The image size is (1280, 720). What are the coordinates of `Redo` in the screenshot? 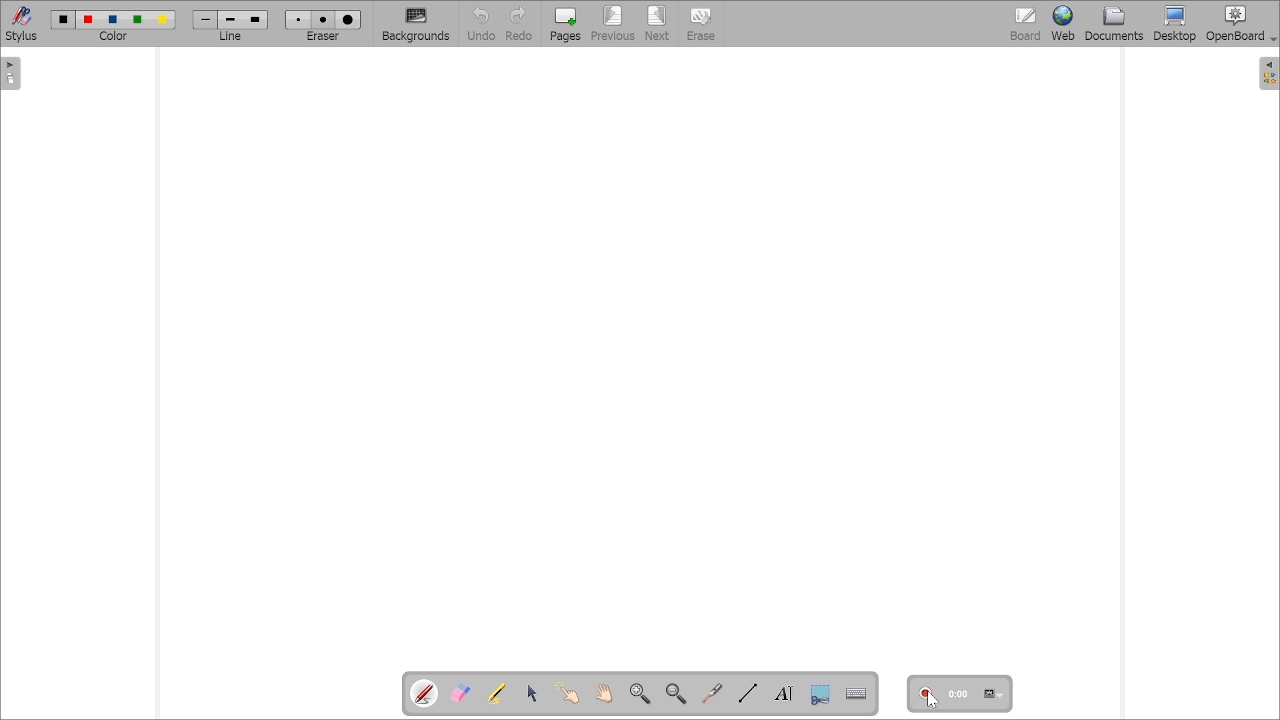 It's located at (519, 23).